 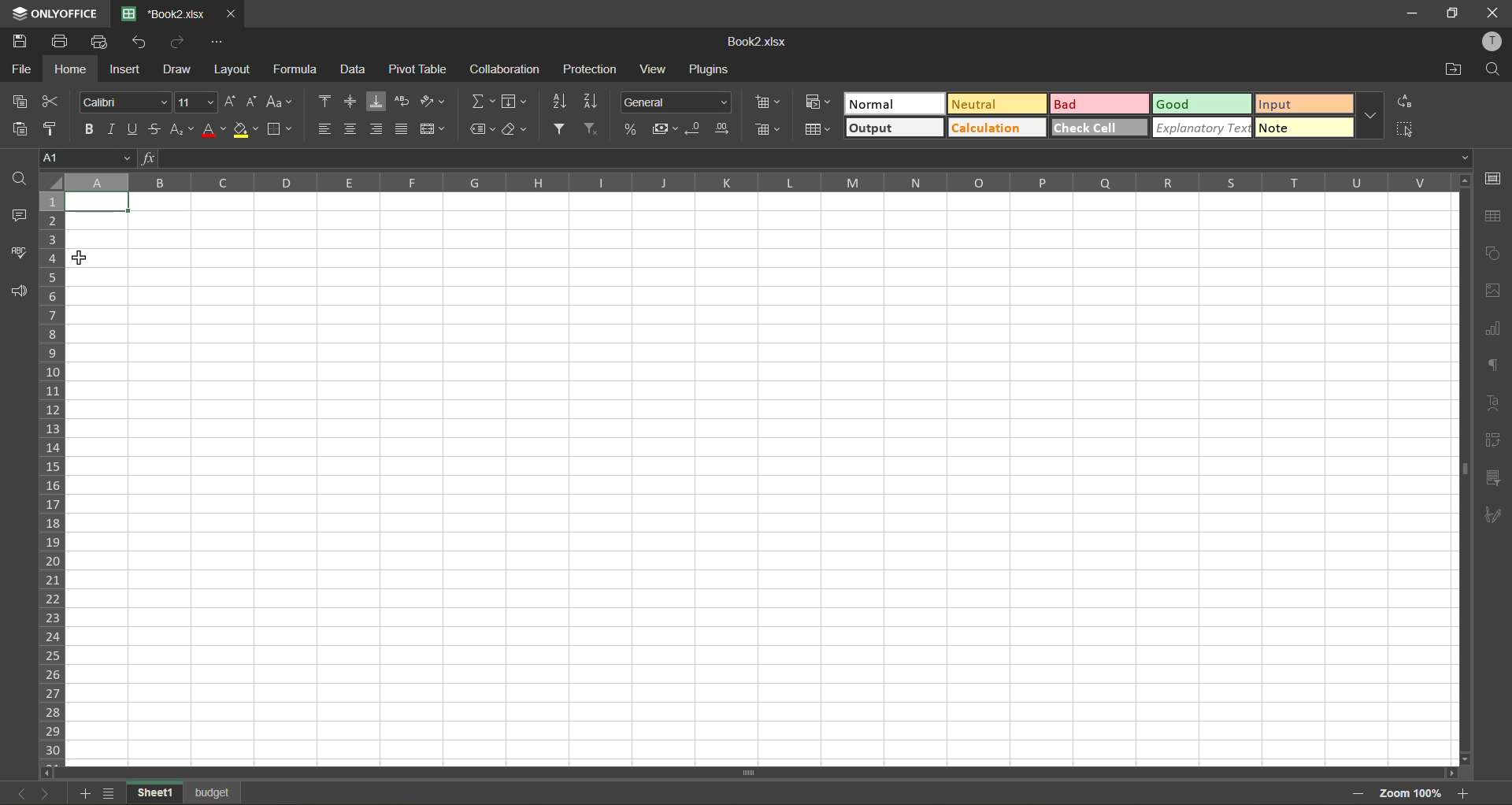 What do you see at coordinates (1406, 131) in the screenshot?
I see `select all` at bounding box center [1406, 131].